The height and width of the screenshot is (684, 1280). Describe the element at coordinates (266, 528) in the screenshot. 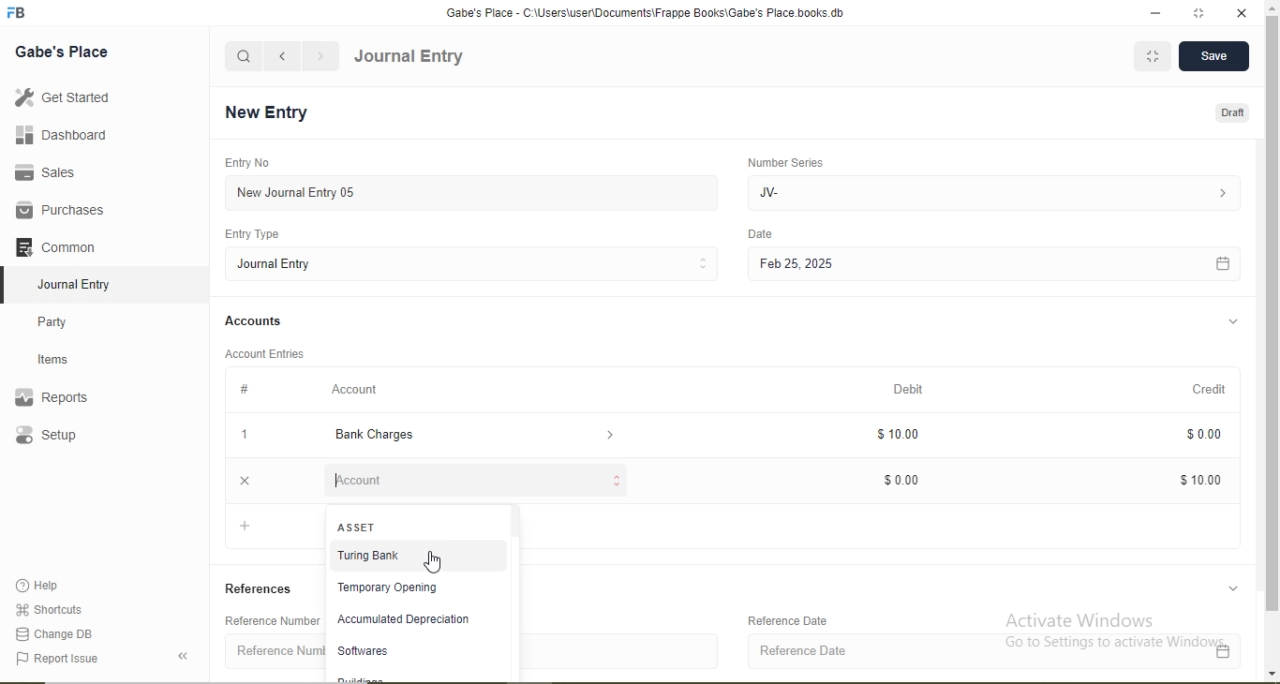

I see `+ Add Row` at that location.